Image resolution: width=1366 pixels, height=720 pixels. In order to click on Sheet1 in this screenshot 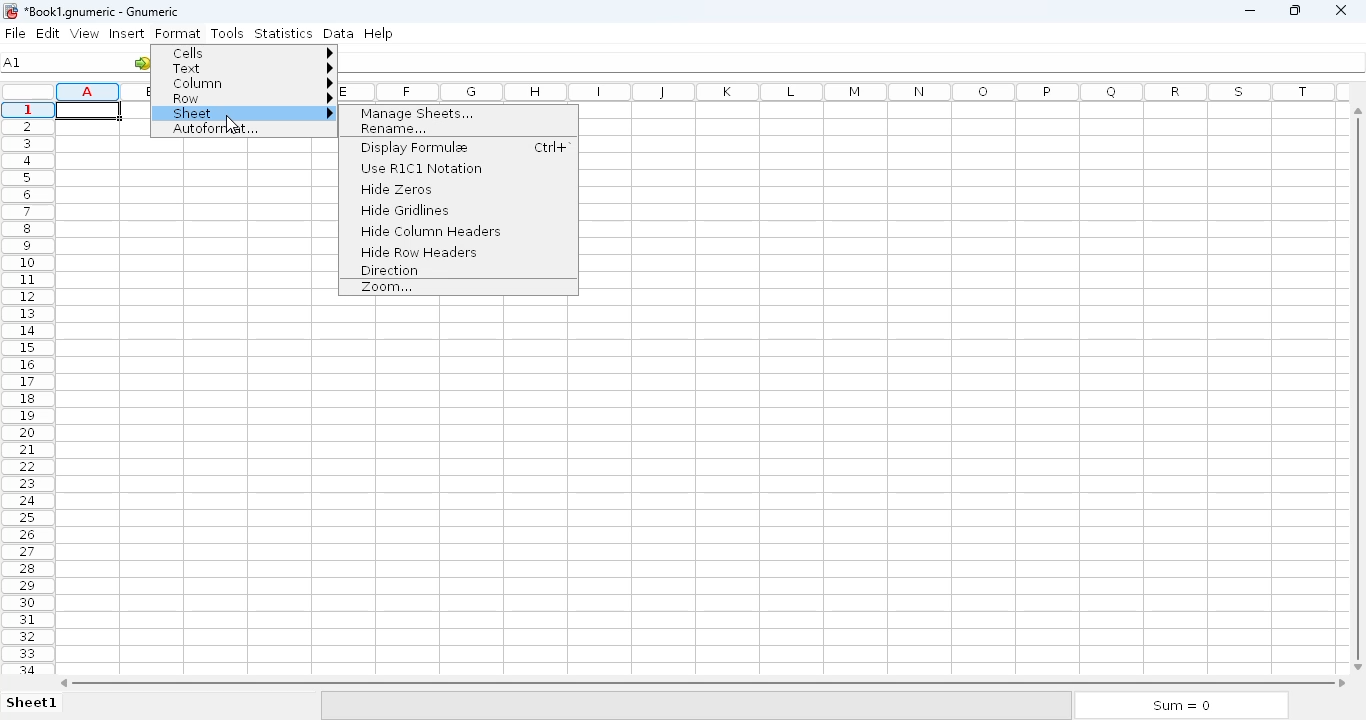, I will do `click(34, 704)`.